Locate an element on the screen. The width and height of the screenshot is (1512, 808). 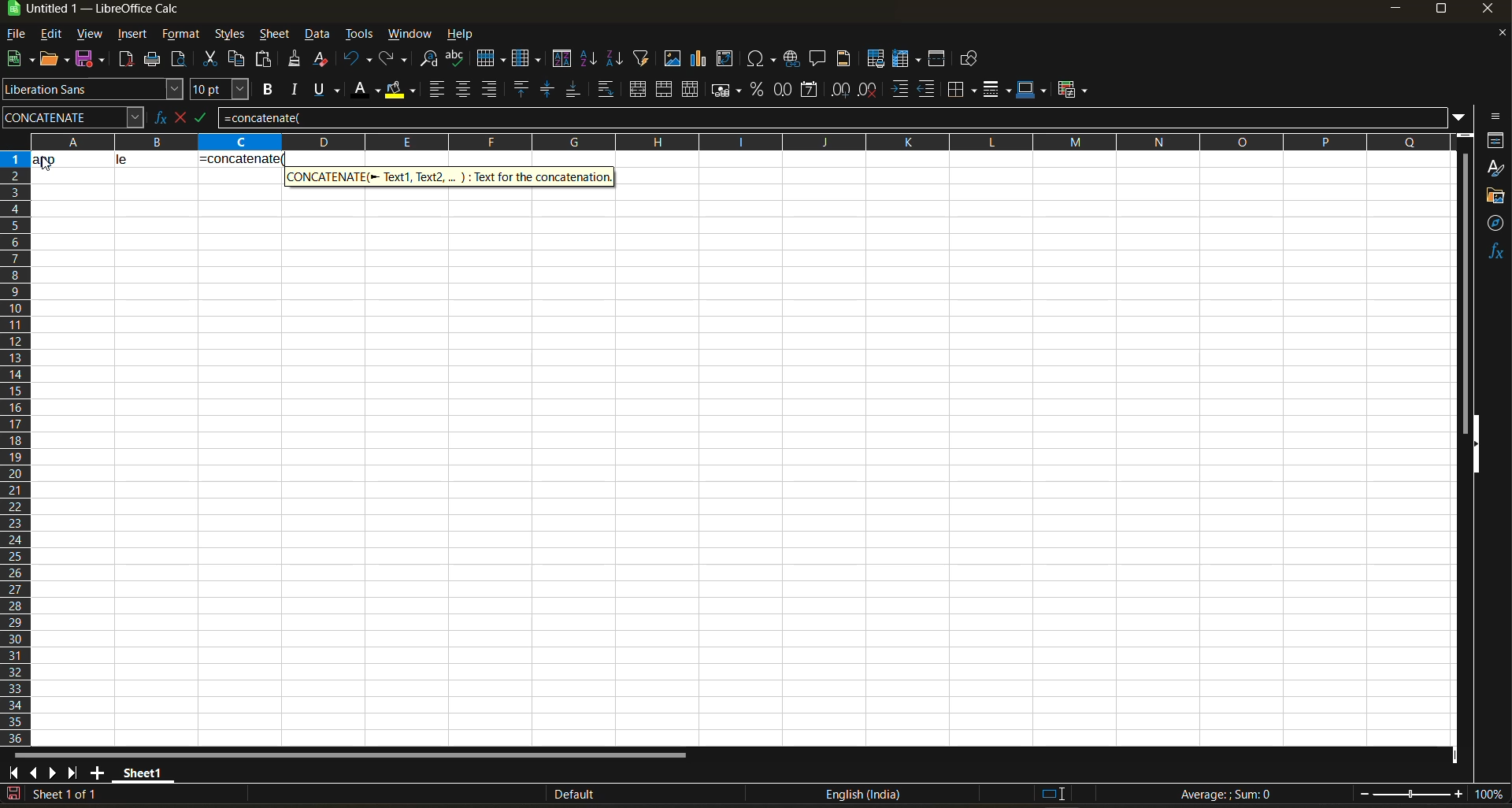
align right is located at coordinates (491, 90).